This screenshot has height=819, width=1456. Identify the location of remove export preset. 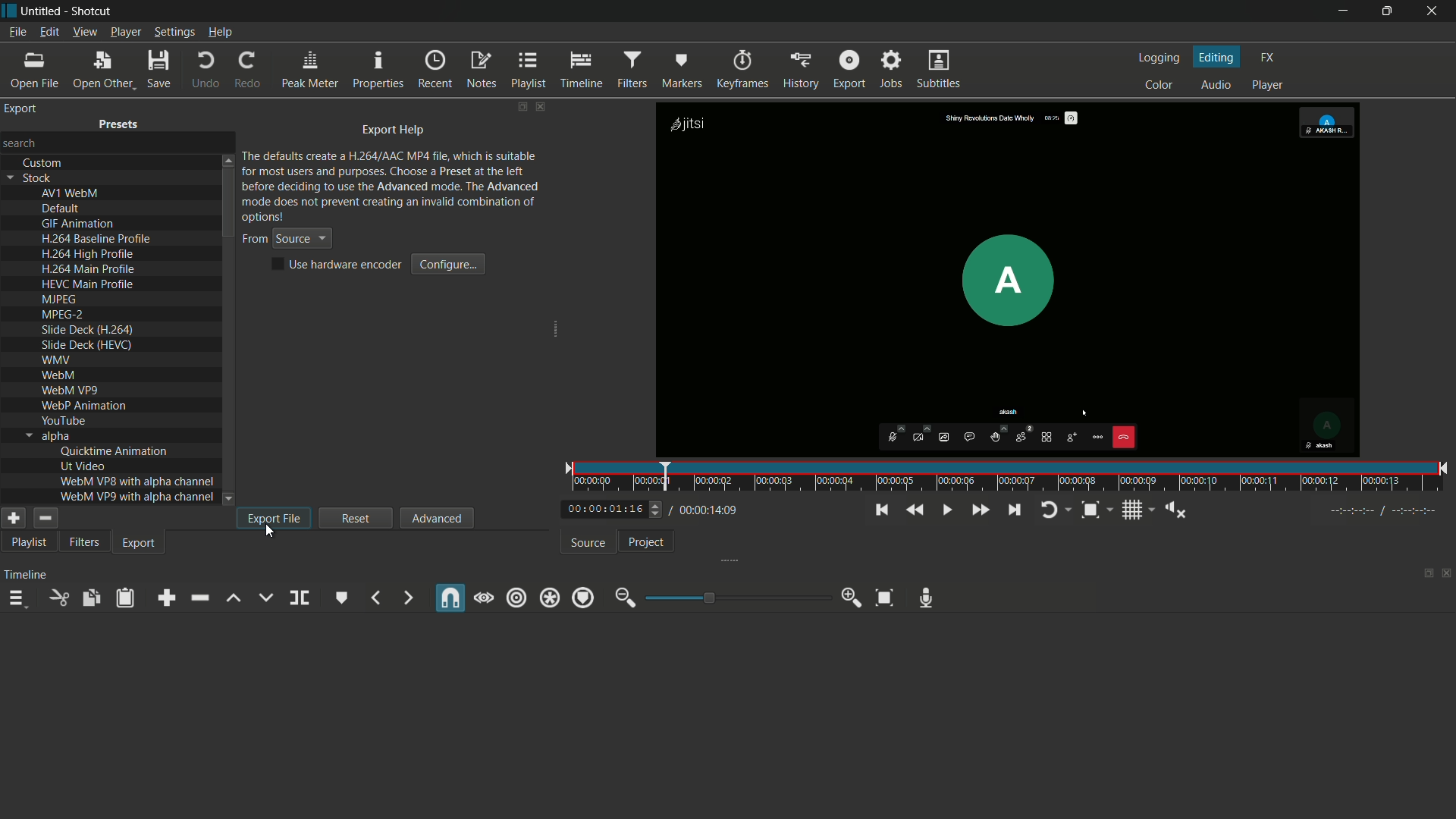
(44, 519).